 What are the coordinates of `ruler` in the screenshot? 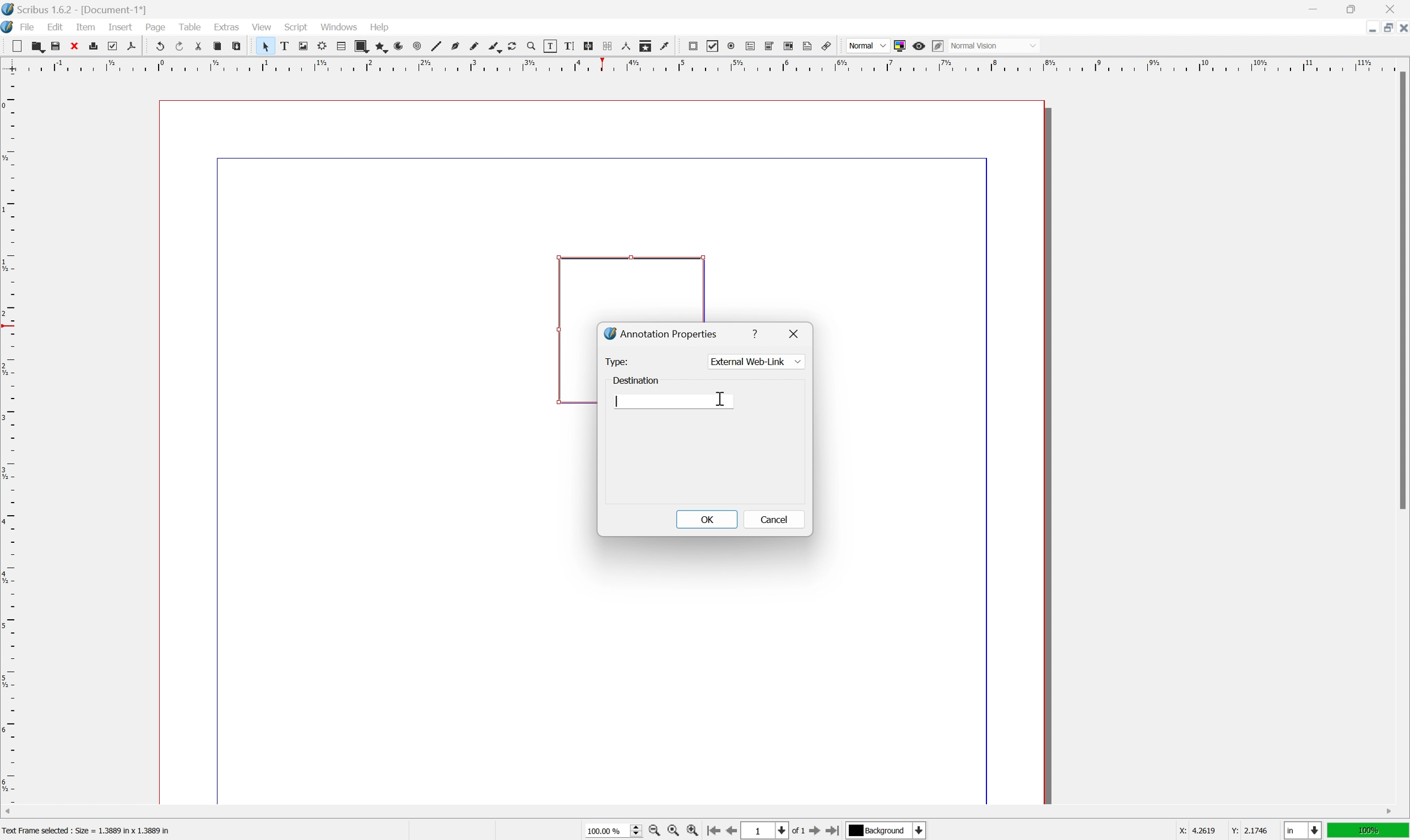 It's located at (9, 438).